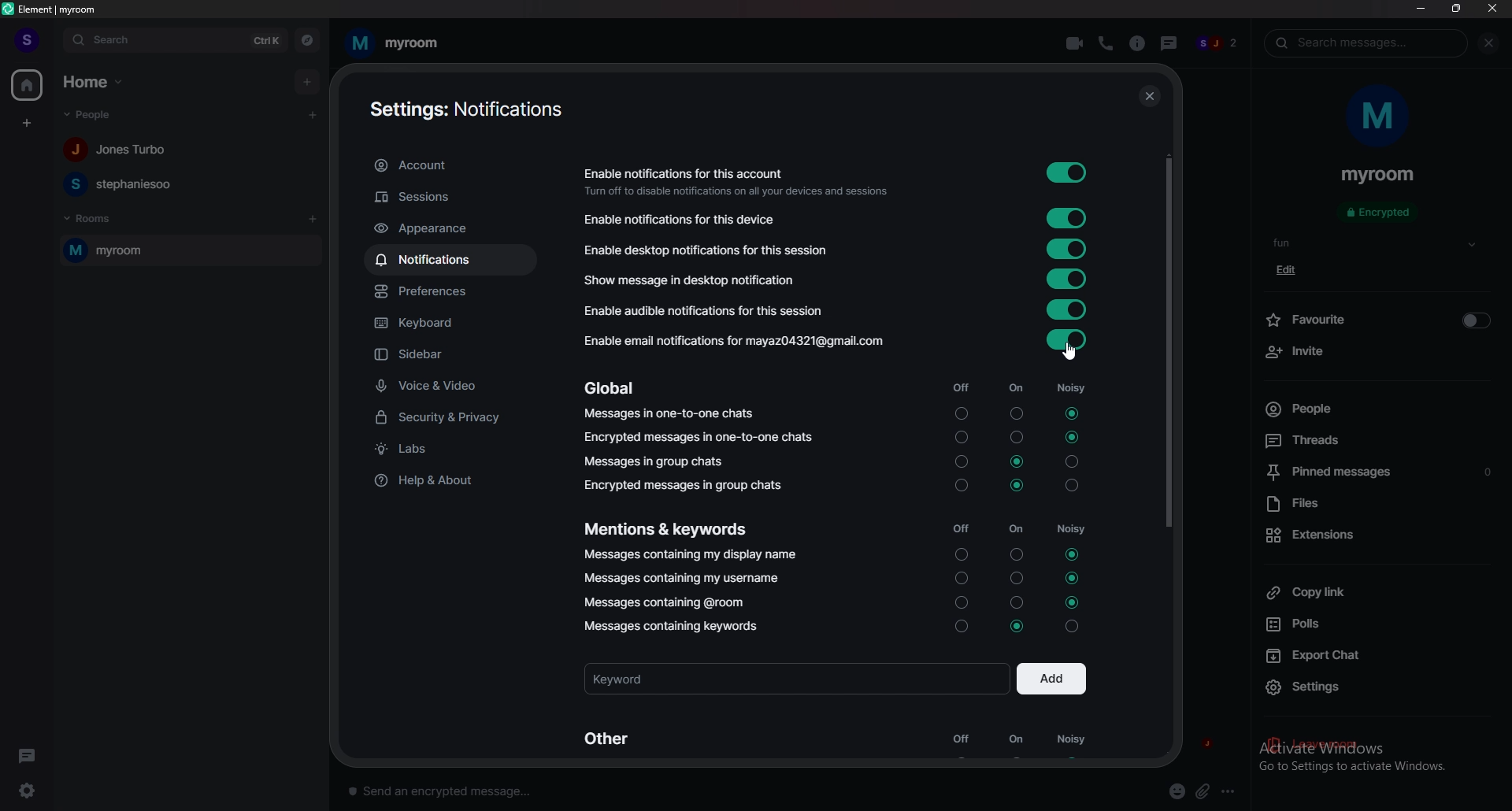  What do you see at coordinates (1017, 742) in the screenshot?
I see `on` at bounding box center [1017, 742].